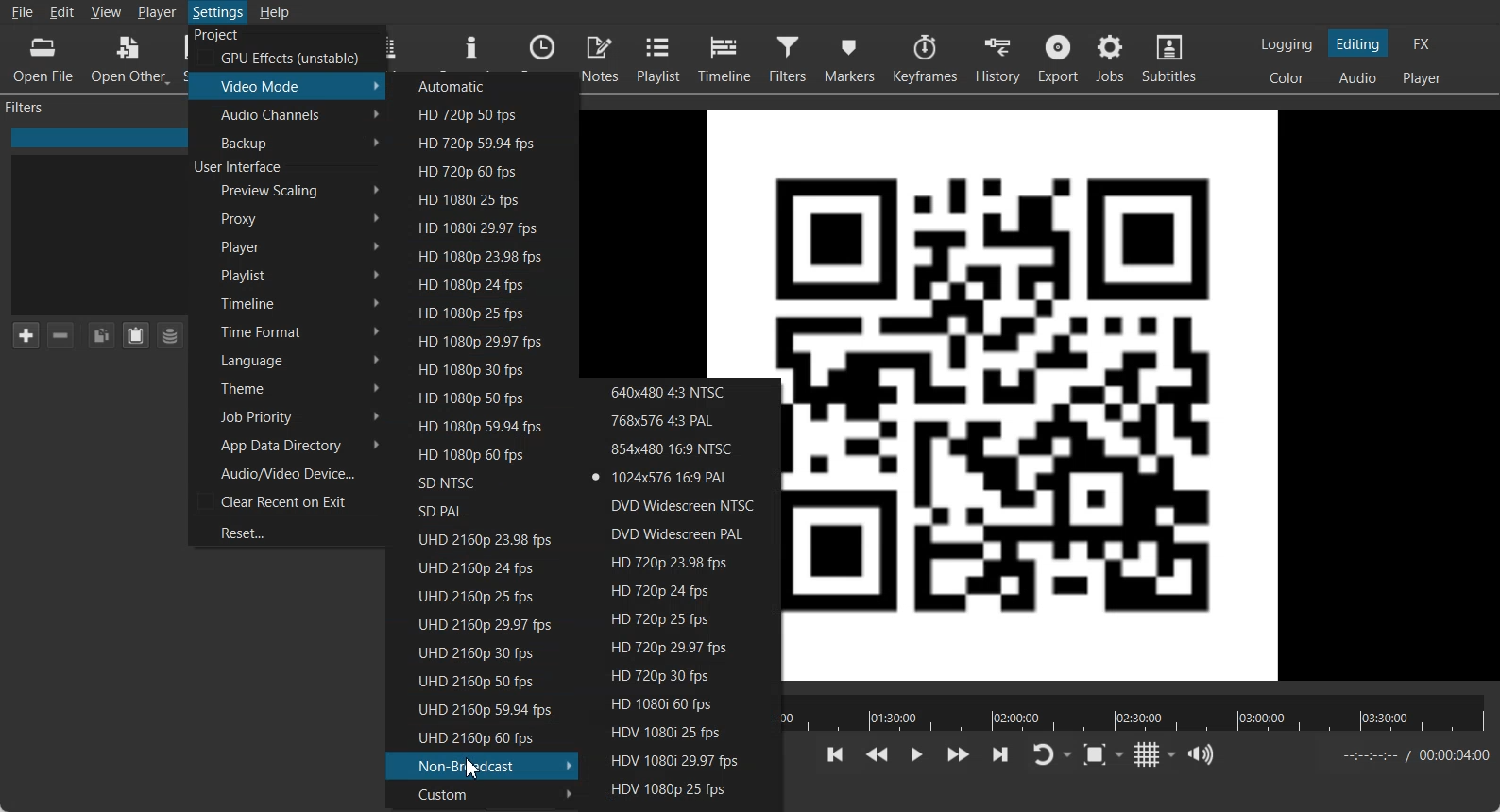 This screenshot has height=812, width=1500. What do you see at coordinates (478, 737) in the screenshot?
I see `UHD 2160p 60 fps` at bounding box center [478, 737].